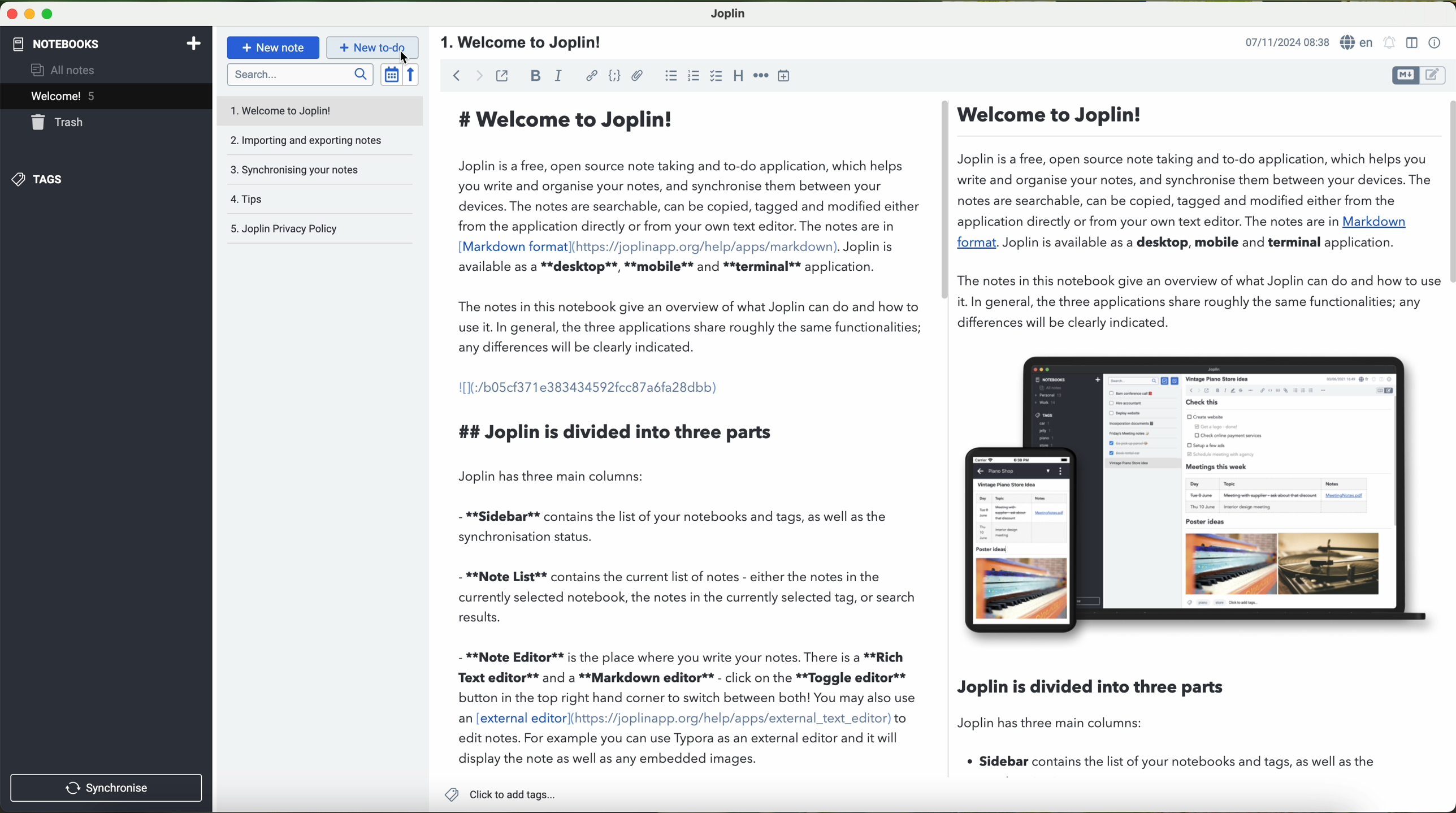 This screenshot has width=1456, height=813. I want to click on Joplin, so click(729, 12).